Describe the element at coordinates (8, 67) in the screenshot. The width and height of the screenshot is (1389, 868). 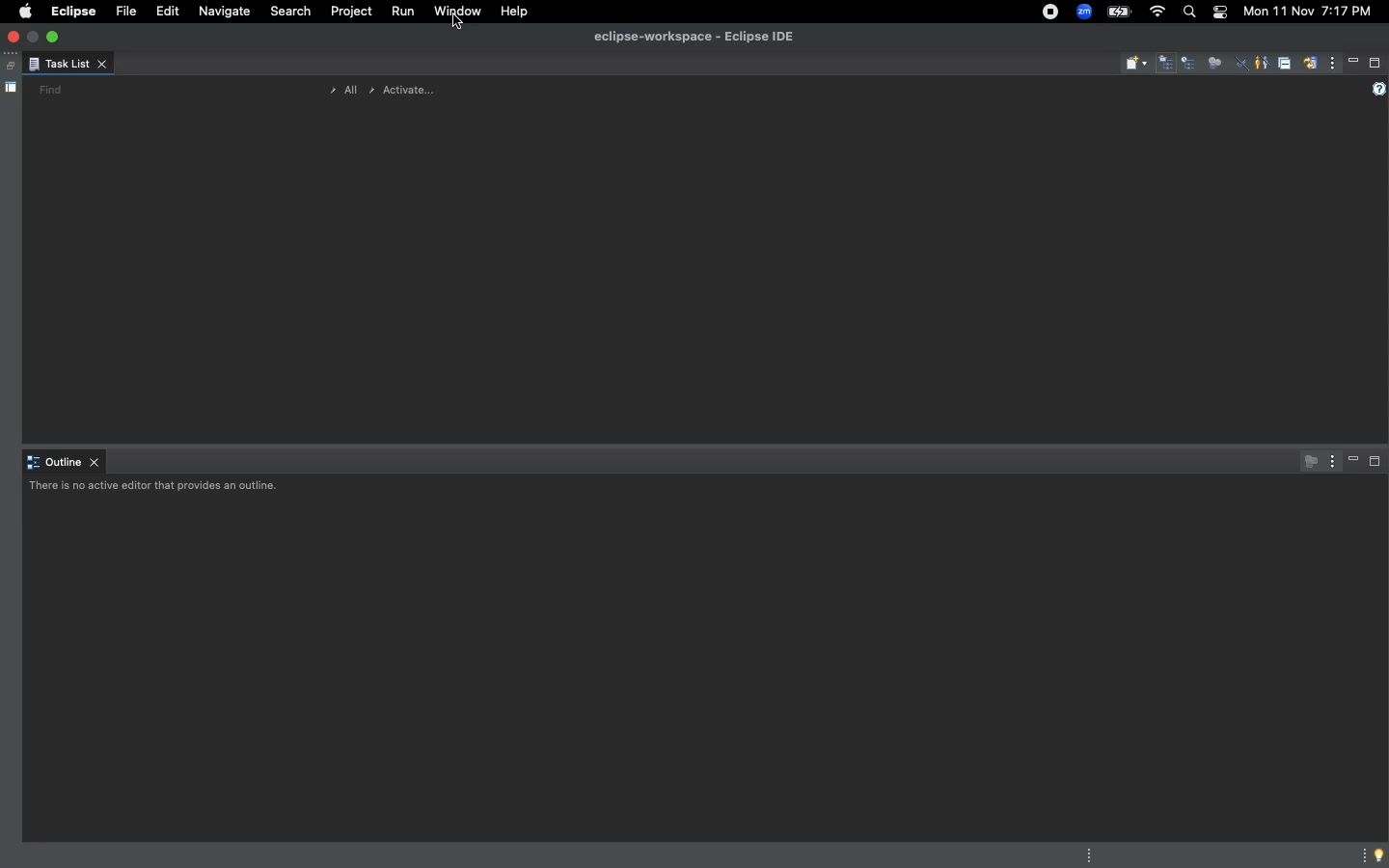
I see `Restore` at that location.